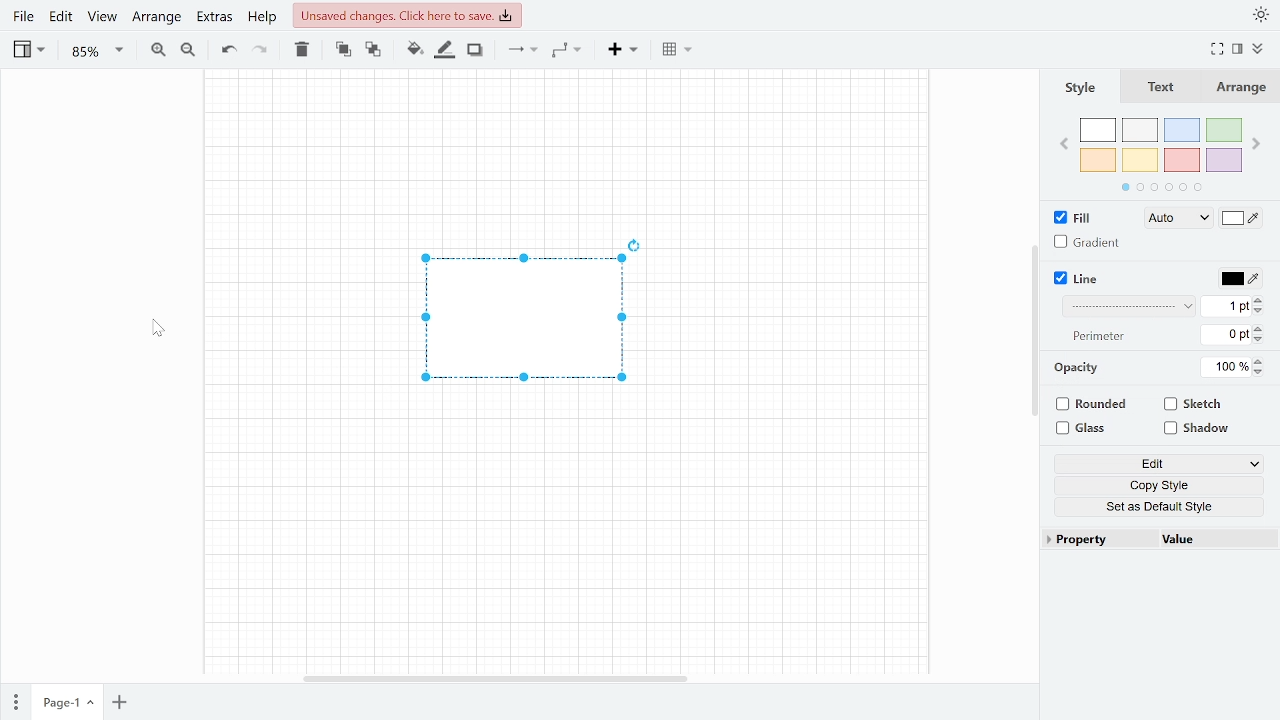 The width and height of the screenshot is (1280, 720). I want to click on Set as a defaultstyle, so click(1161, 506).